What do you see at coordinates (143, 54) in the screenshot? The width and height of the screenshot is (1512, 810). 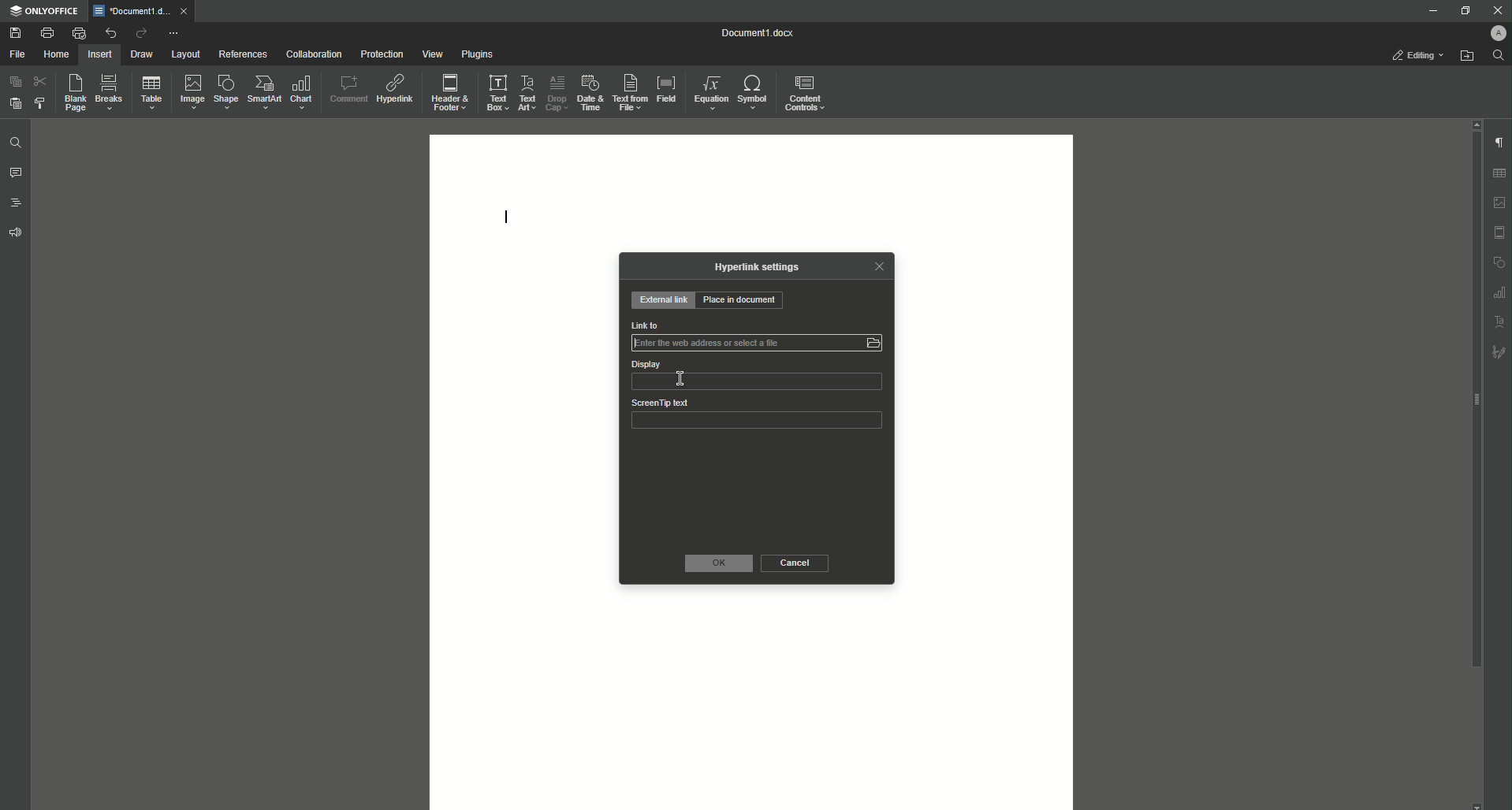 I see `Draw` at bounding box center [143, 54].